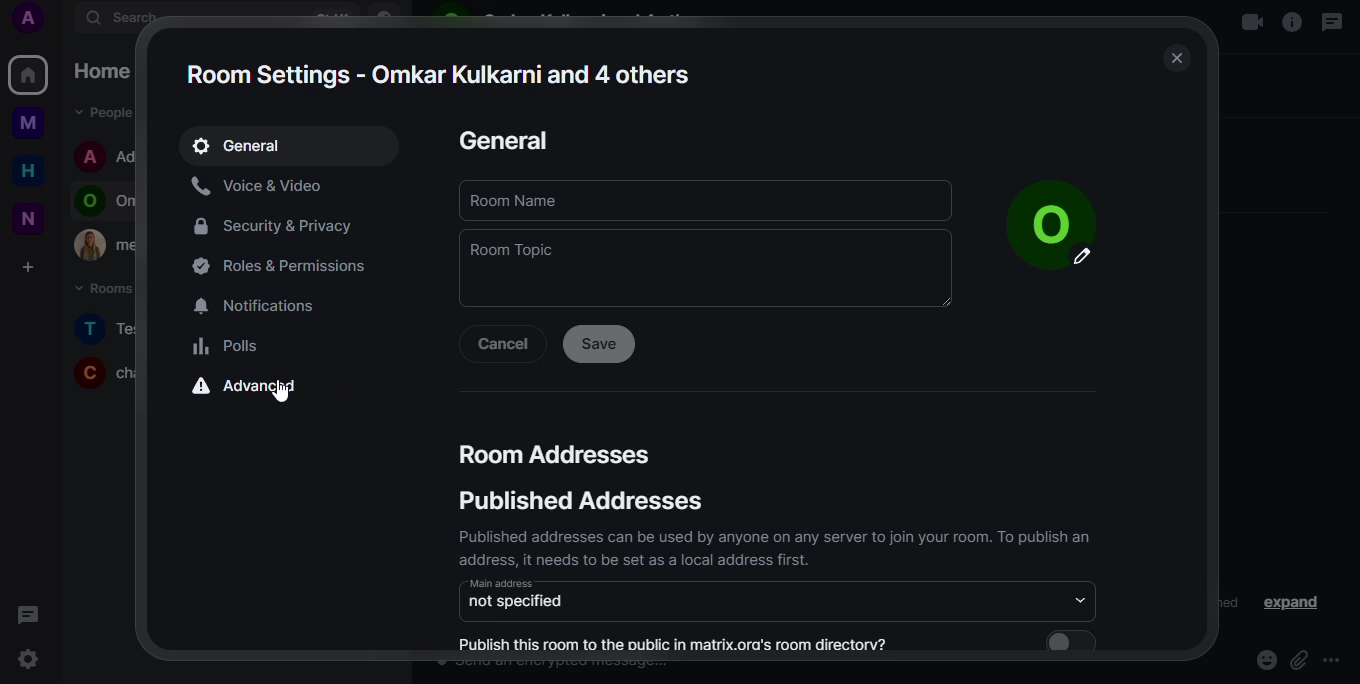 This screenshot has width=1360, height=684. What do you see at coordinates (1243, 21) in the screenshot?
I see `video call` at bounding box center [1243, 21].